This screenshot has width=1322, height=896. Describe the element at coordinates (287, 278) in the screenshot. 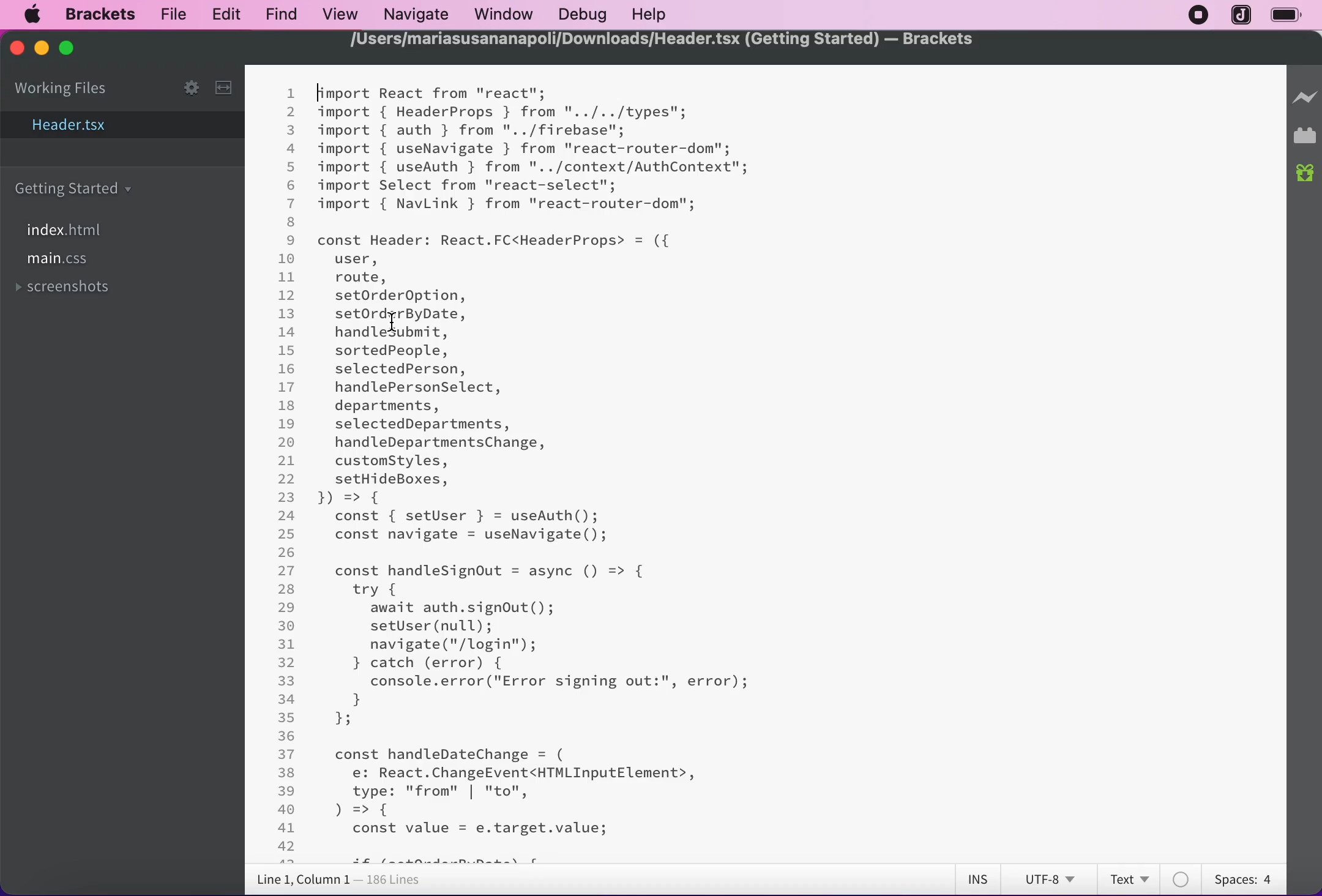

I see `11` at that location.